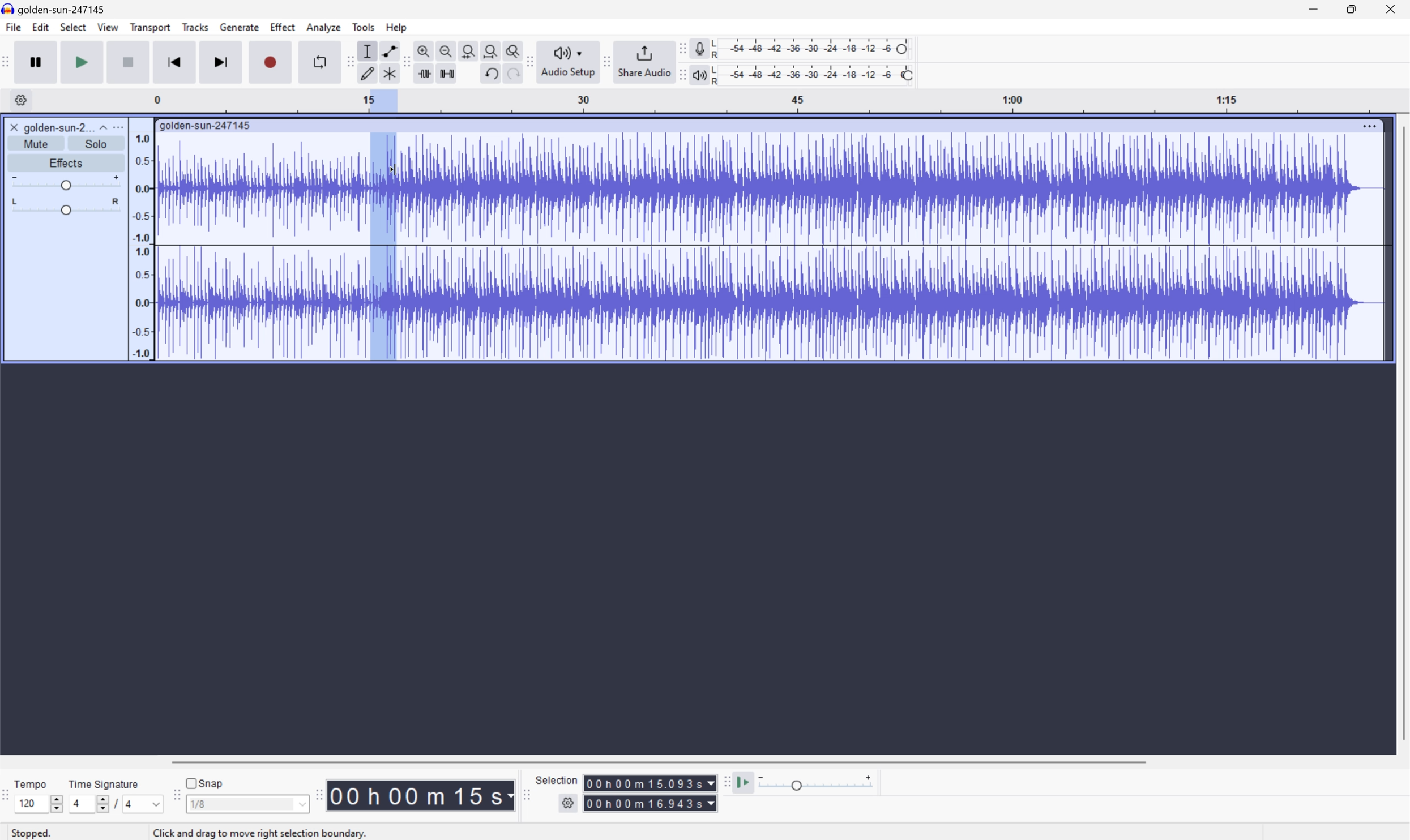 This screenshot has width=1410, height=840. I want to click on Draw style, so click(369, 72).